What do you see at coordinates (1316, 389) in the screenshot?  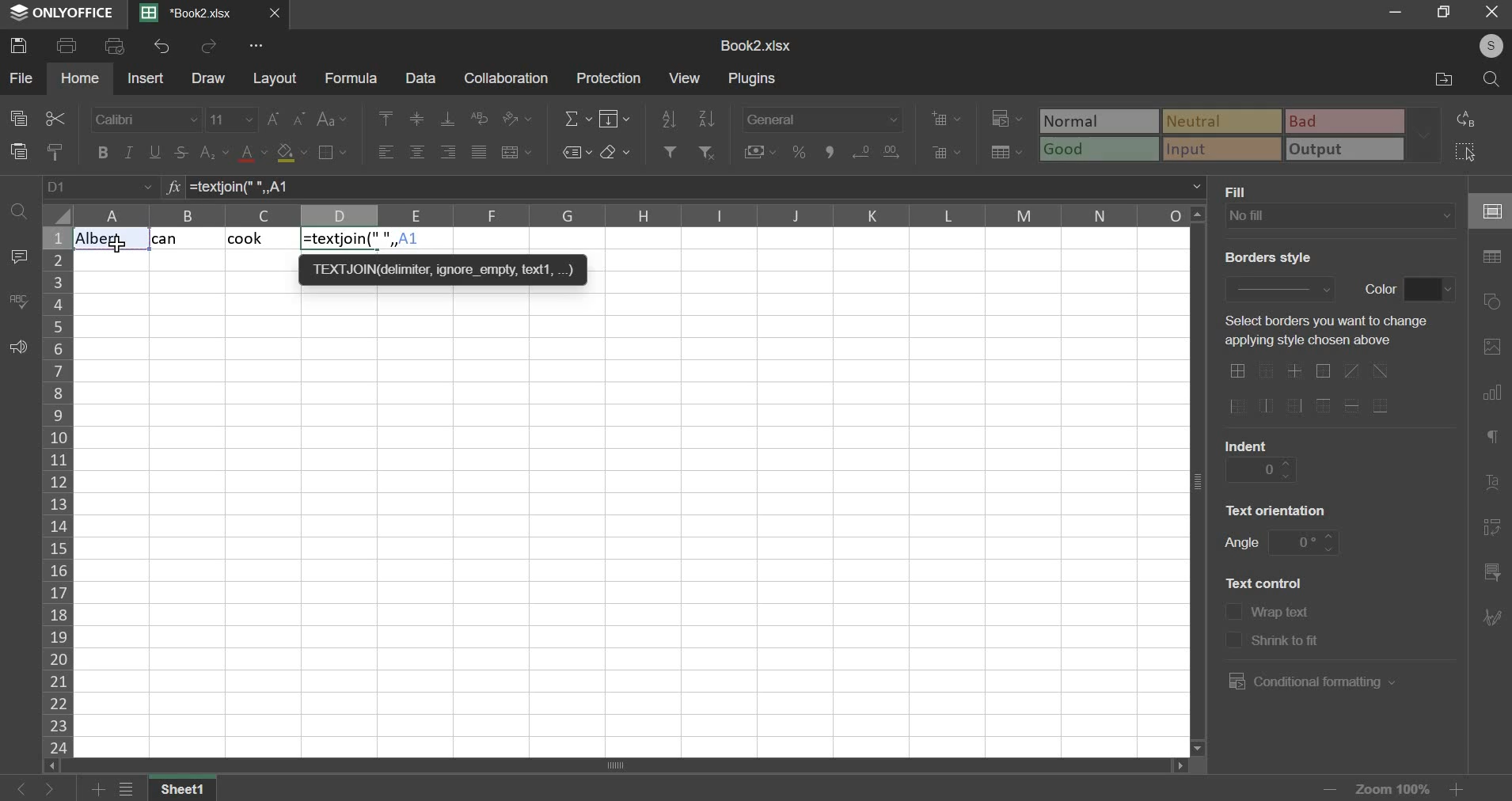 I see `border options` at bounding box center [1316, 389].